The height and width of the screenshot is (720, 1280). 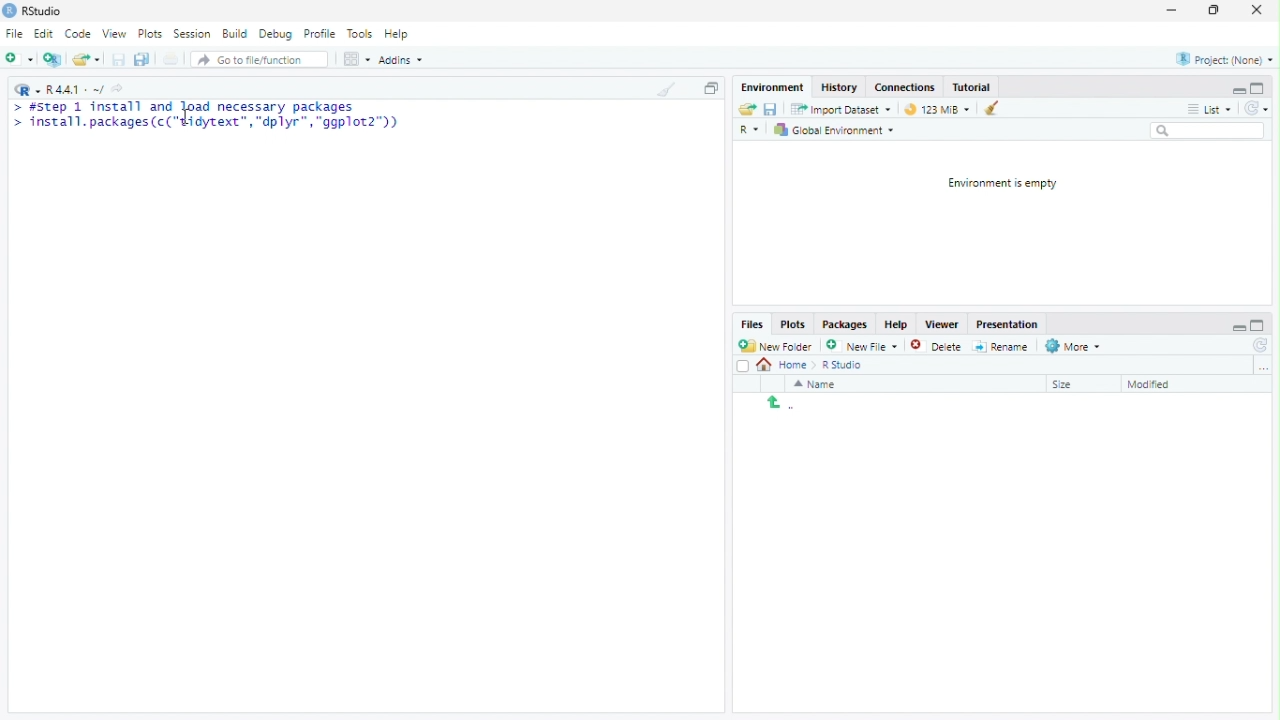 What do you see at coordinates (905, 86) in the screenshot?
I see `Connections` at bounding box center [905, 86].